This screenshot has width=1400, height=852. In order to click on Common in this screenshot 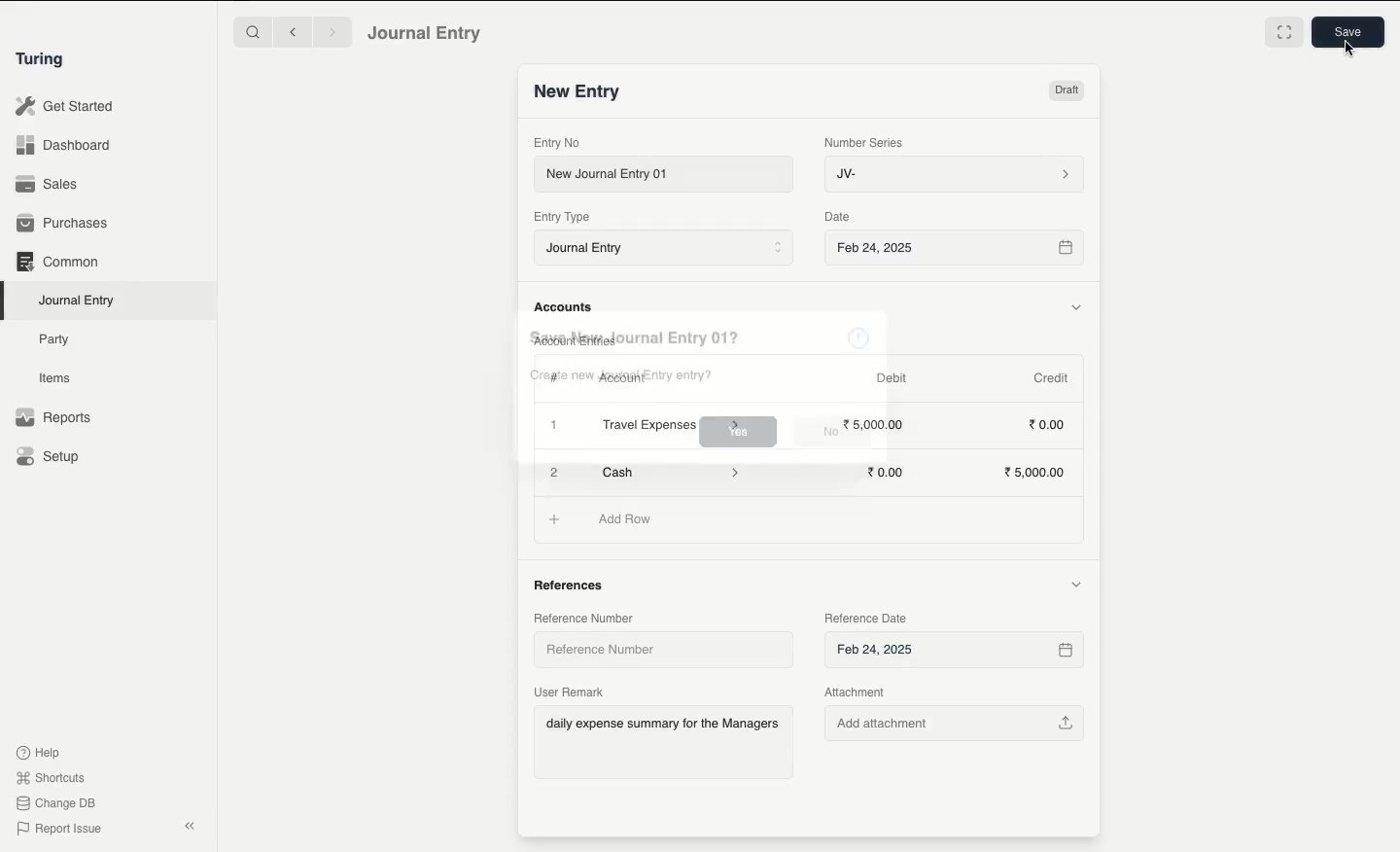, I will do `click(59, 262)`.